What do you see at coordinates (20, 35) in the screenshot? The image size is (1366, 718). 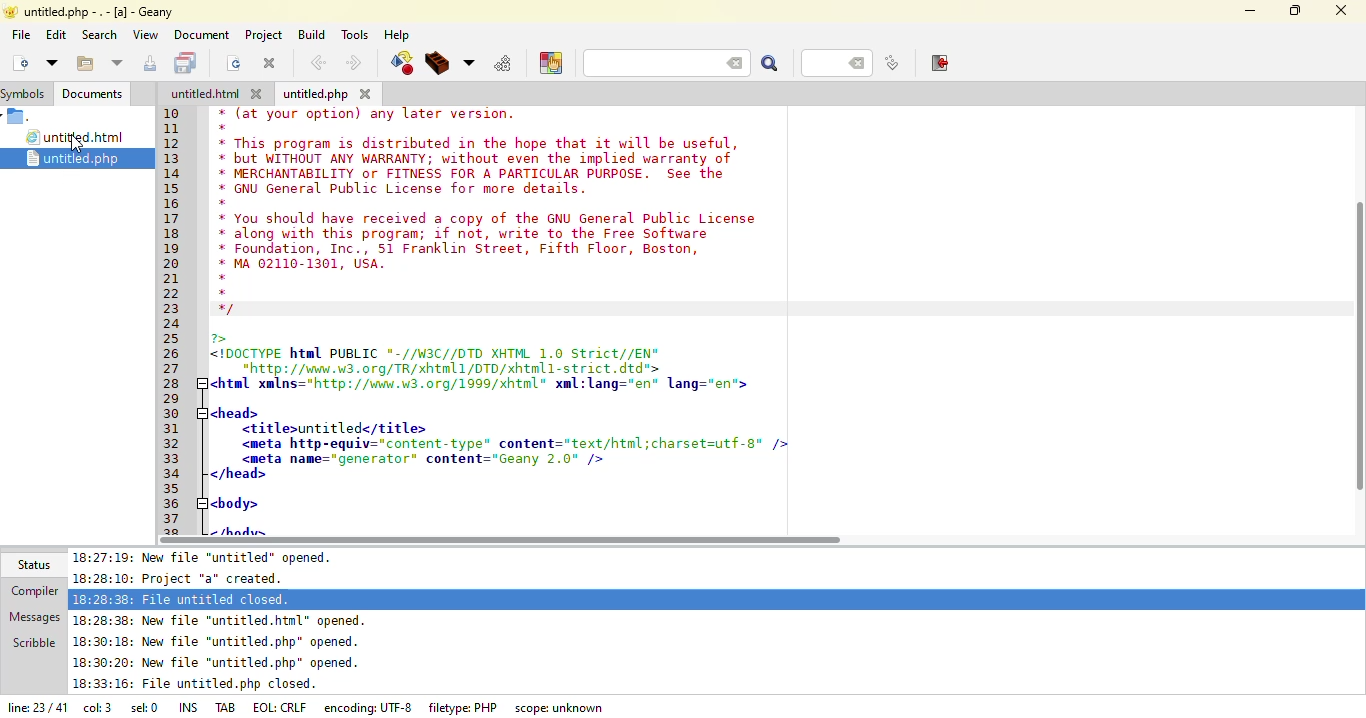 I see `file` at bounding box center [20, 35].